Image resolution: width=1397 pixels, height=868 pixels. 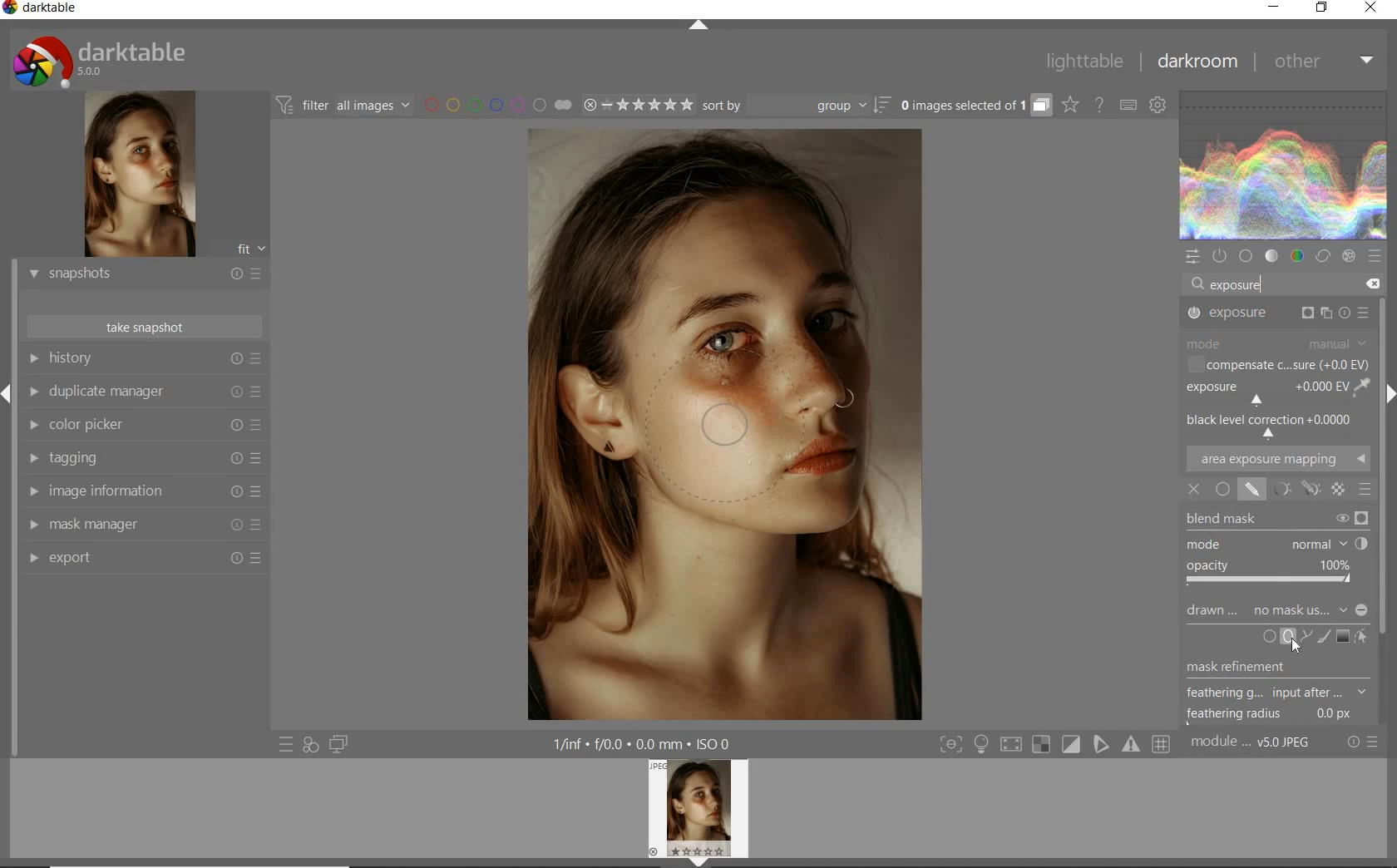 What do you see at coordinates (974, 106) in the screenshot?
I see `expand grouped images` at bounding box center [974, 106].